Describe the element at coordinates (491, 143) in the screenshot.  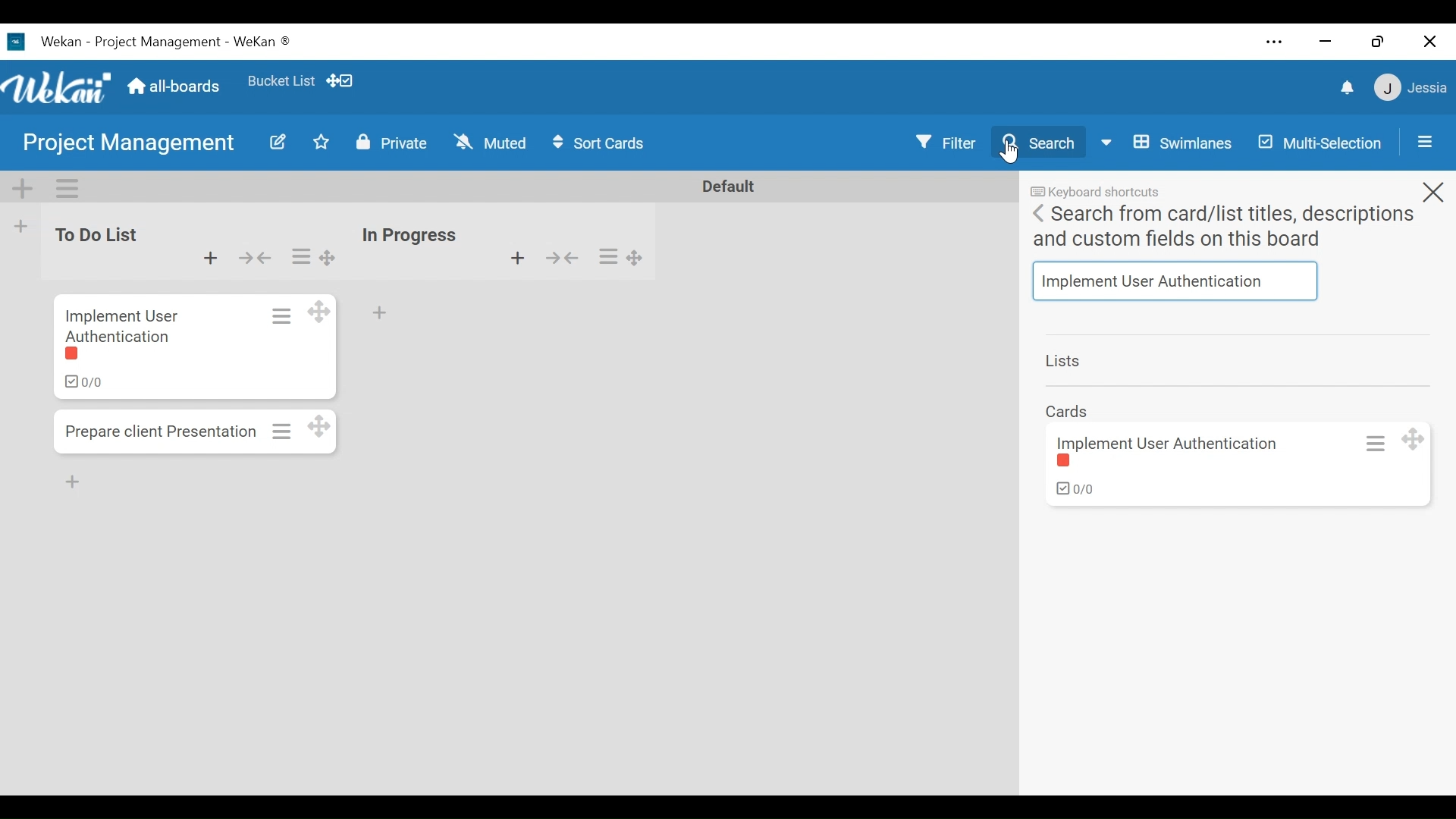
I see `Muted` at that location.